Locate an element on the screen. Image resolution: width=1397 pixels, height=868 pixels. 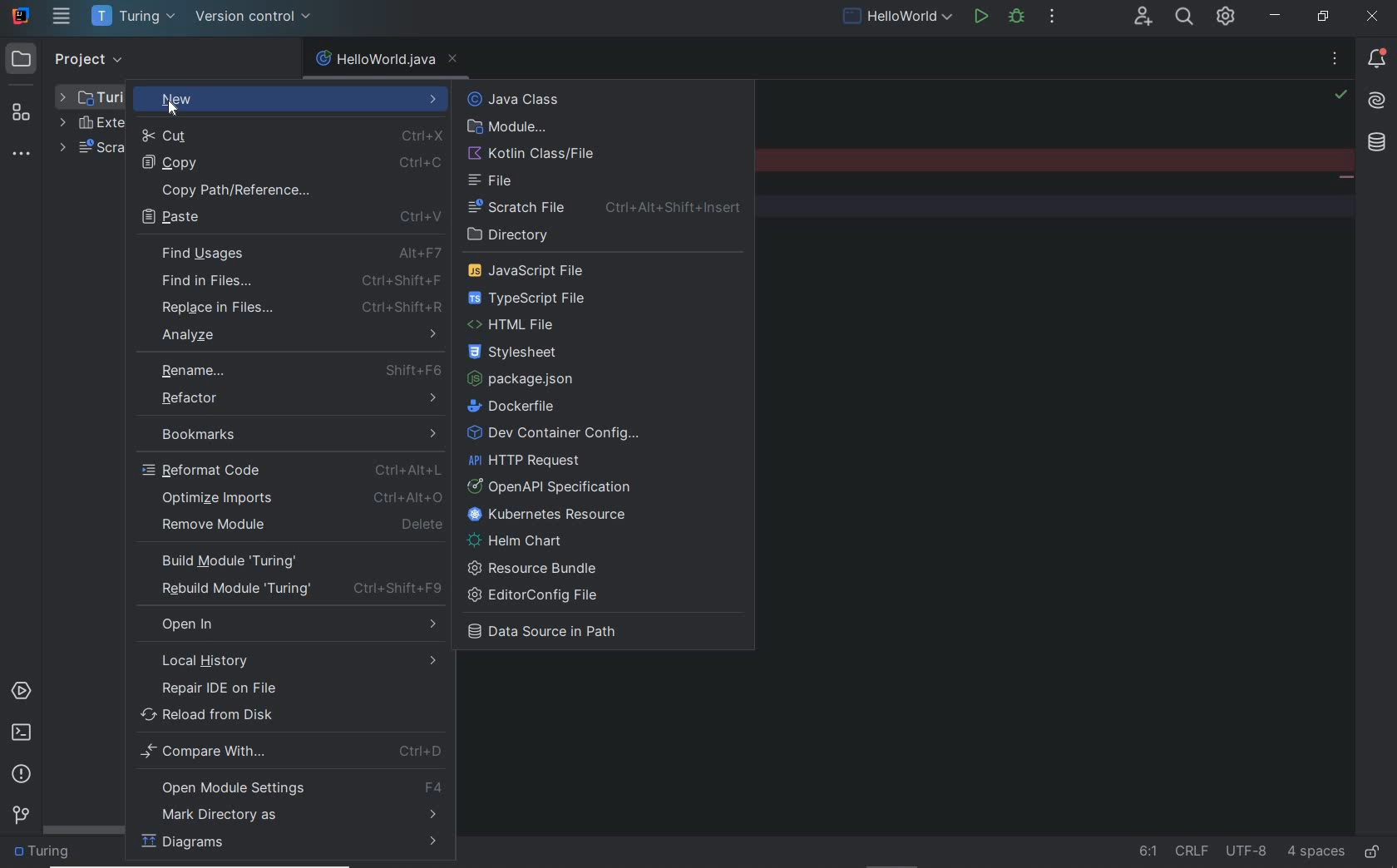
file is located at coordinates (494, 181).